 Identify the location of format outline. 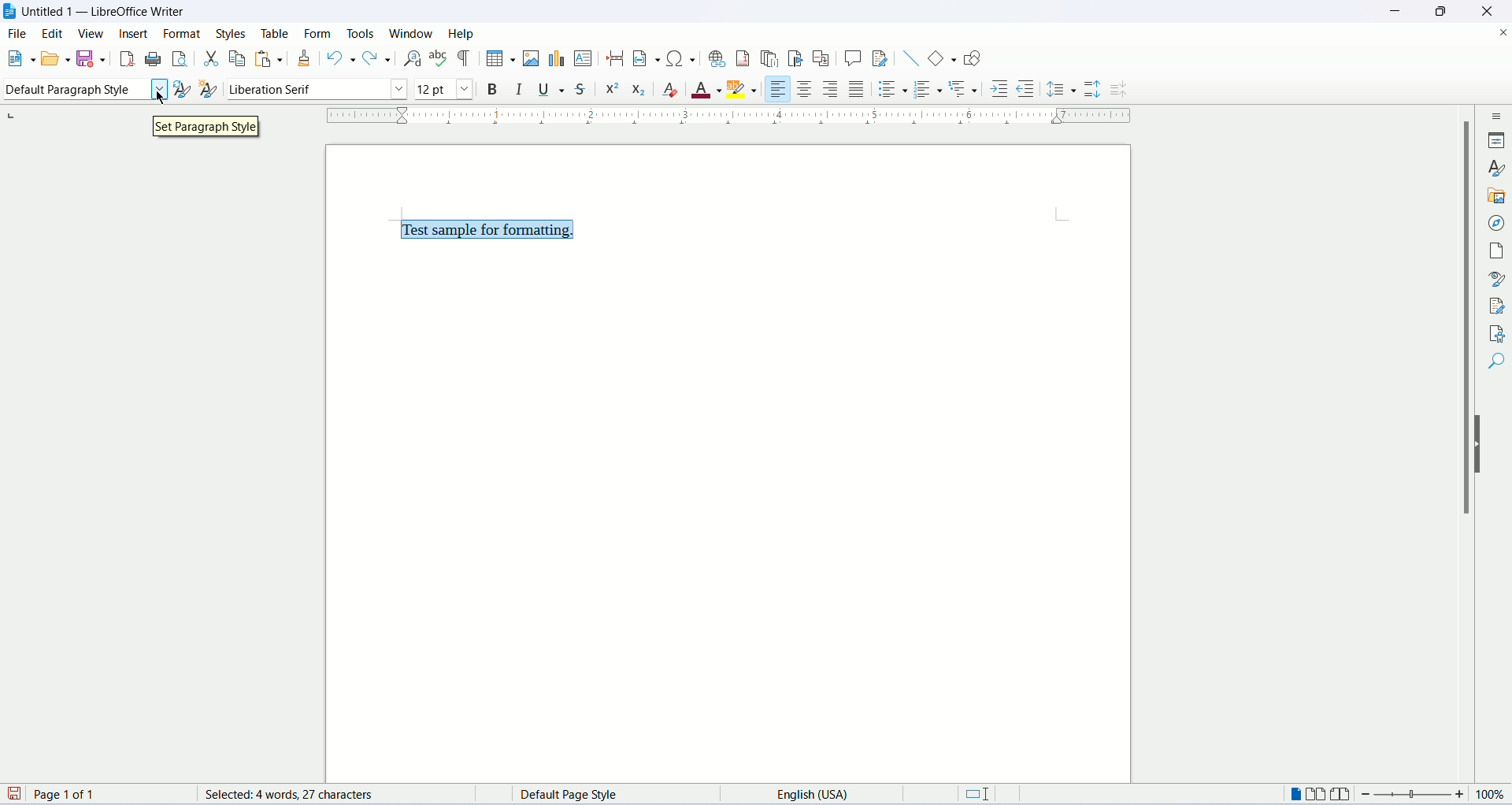
(966, 91).